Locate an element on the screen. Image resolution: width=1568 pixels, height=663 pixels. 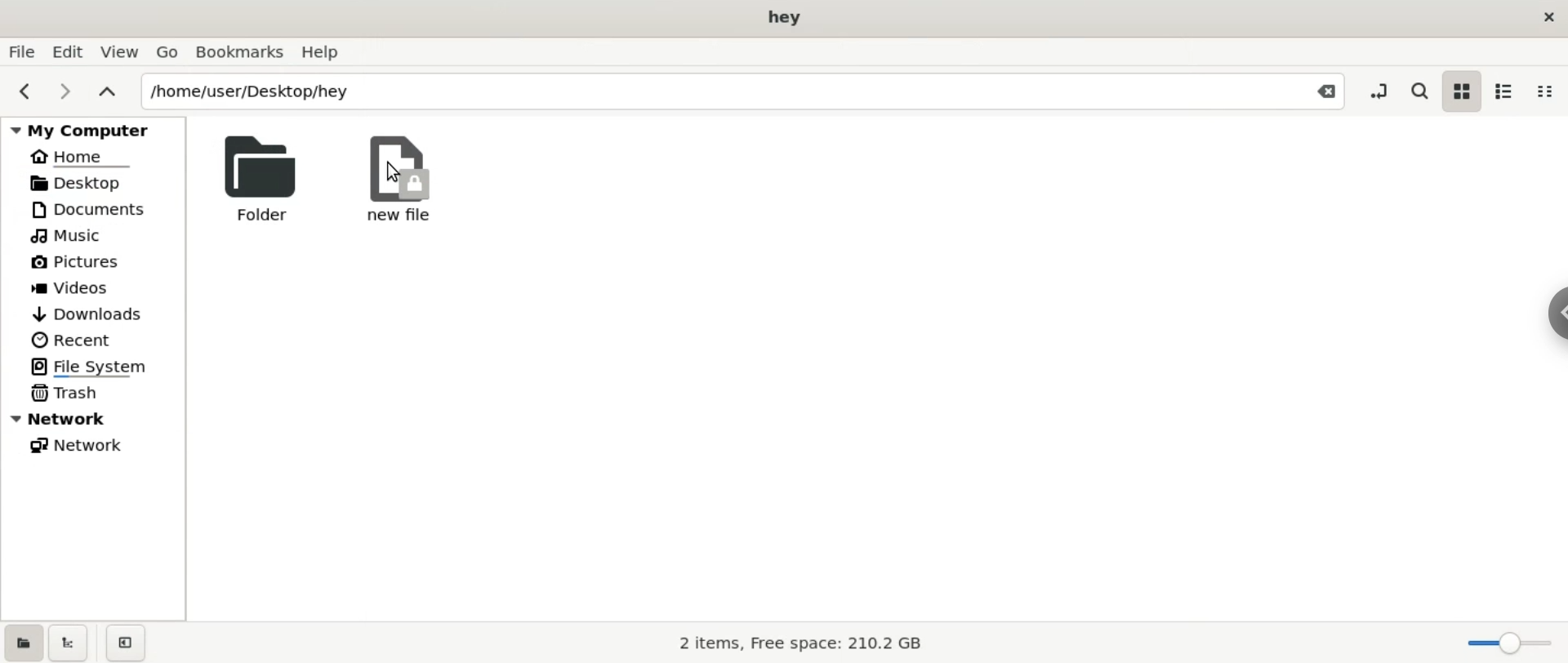
show treeview is located at coordinates (72, 644).